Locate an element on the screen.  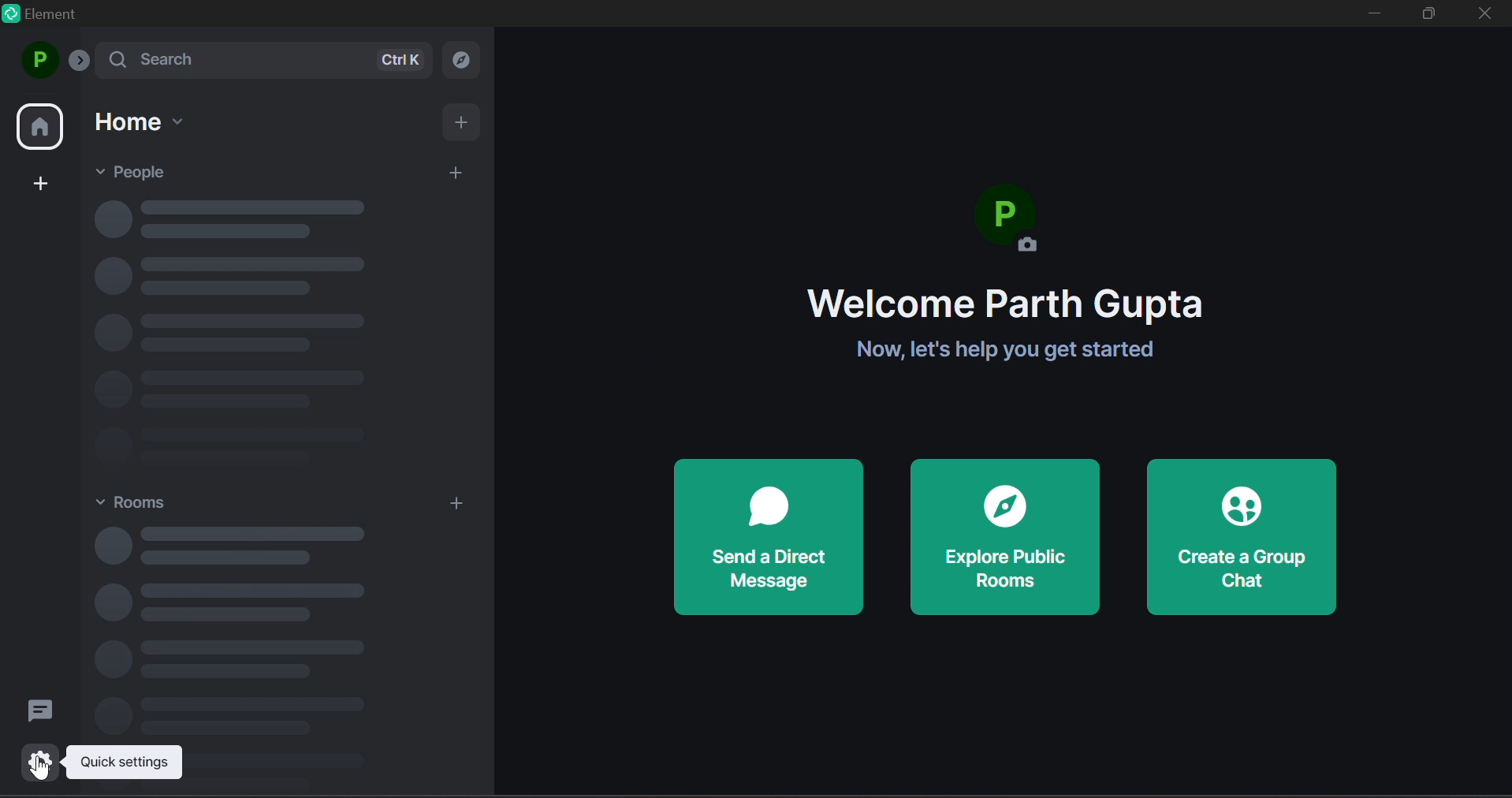
send a direct message is located at coordinates (769, 538).